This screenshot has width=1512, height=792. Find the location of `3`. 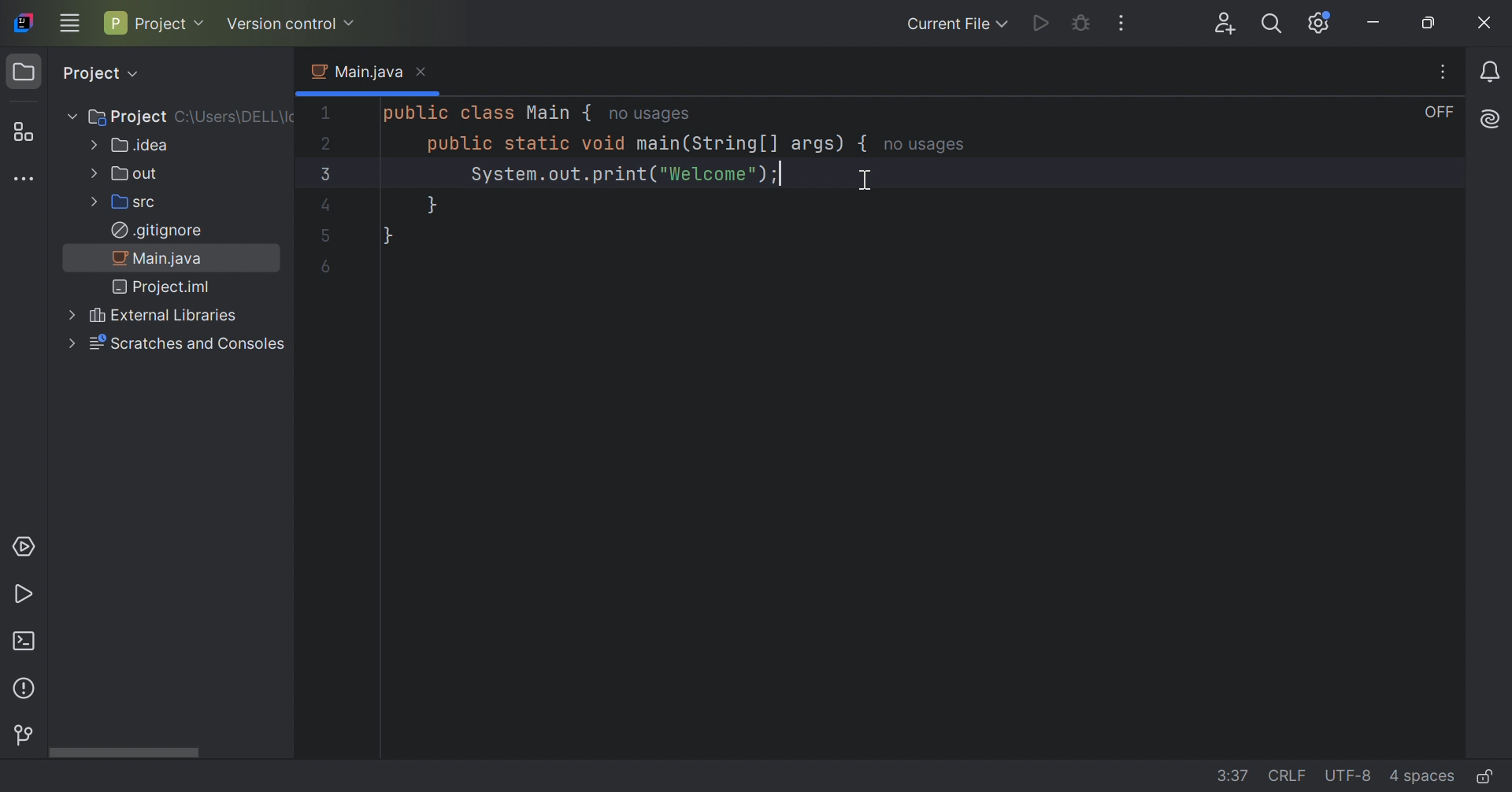

3 is located at coordinates (322, 174).